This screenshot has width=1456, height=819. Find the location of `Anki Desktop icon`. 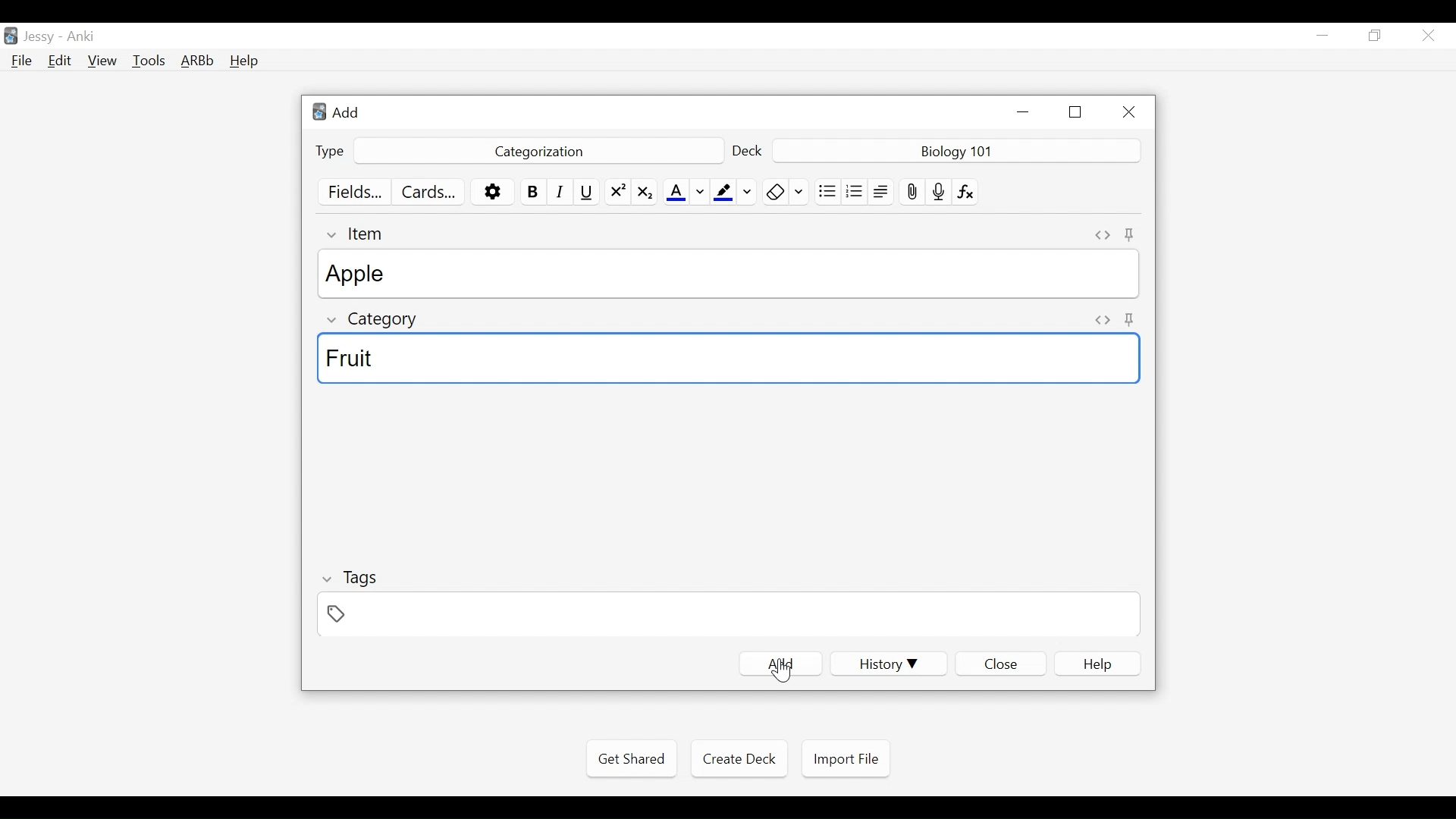

Anki Desktop icon is located at coordinates (11, 36).